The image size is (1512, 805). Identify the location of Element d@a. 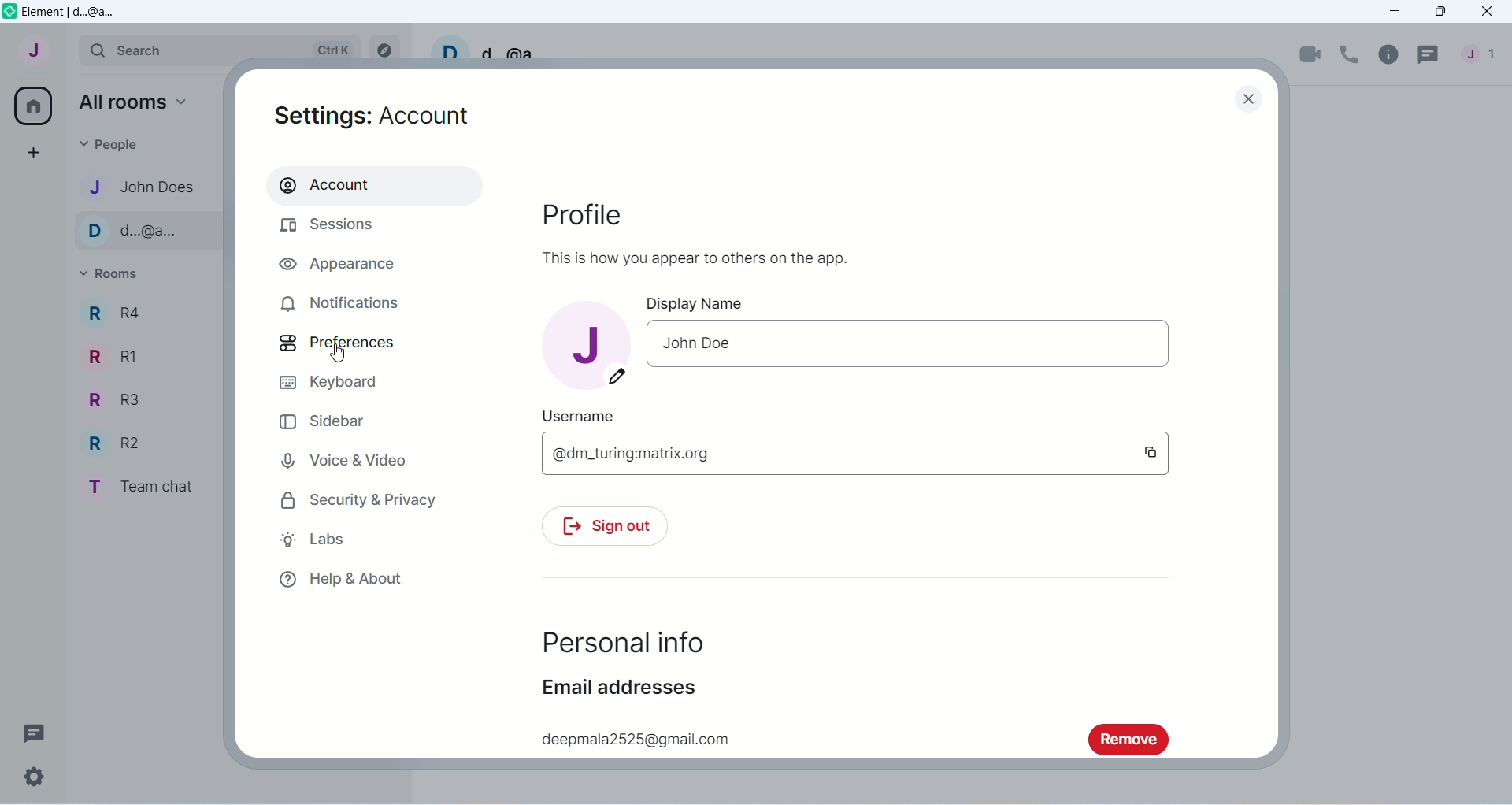
(73, 14).